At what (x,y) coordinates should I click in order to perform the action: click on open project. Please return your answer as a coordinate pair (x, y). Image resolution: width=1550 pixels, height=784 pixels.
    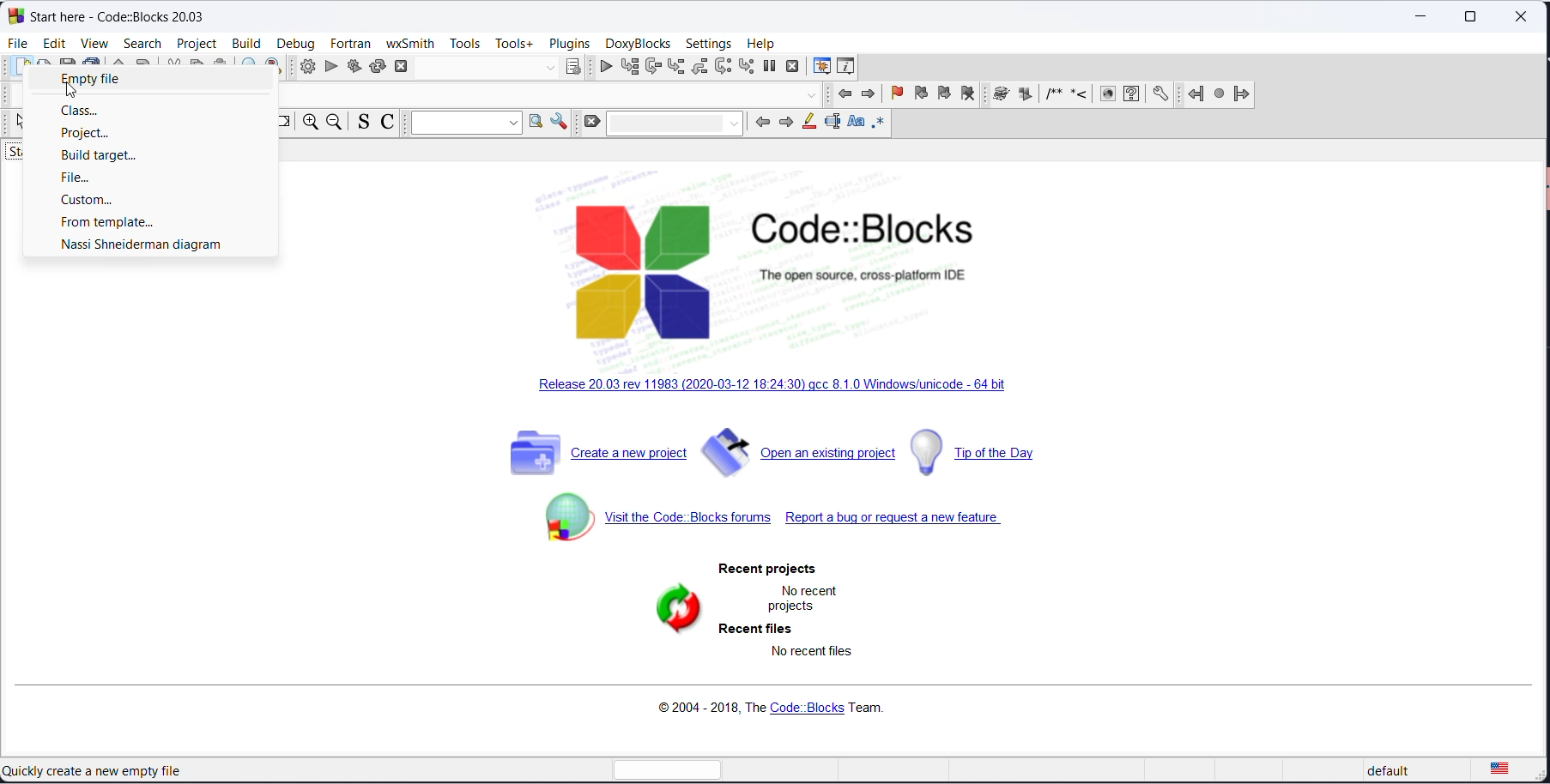
    Looking at the image, I should click on (802, 450).